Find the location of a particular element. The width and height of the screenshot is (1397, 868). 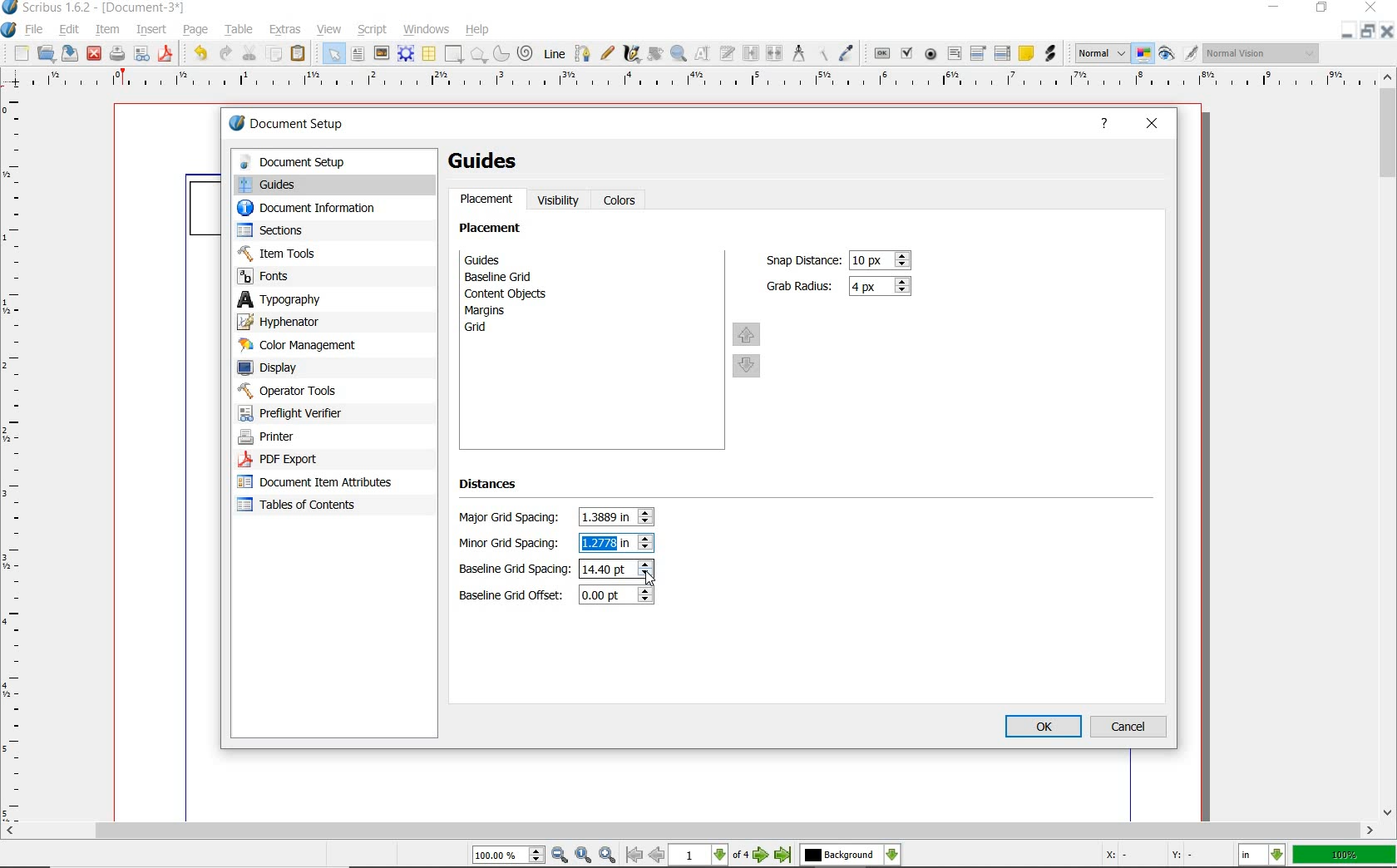

visual appearance of the display is located at coordinates (1262, 54).